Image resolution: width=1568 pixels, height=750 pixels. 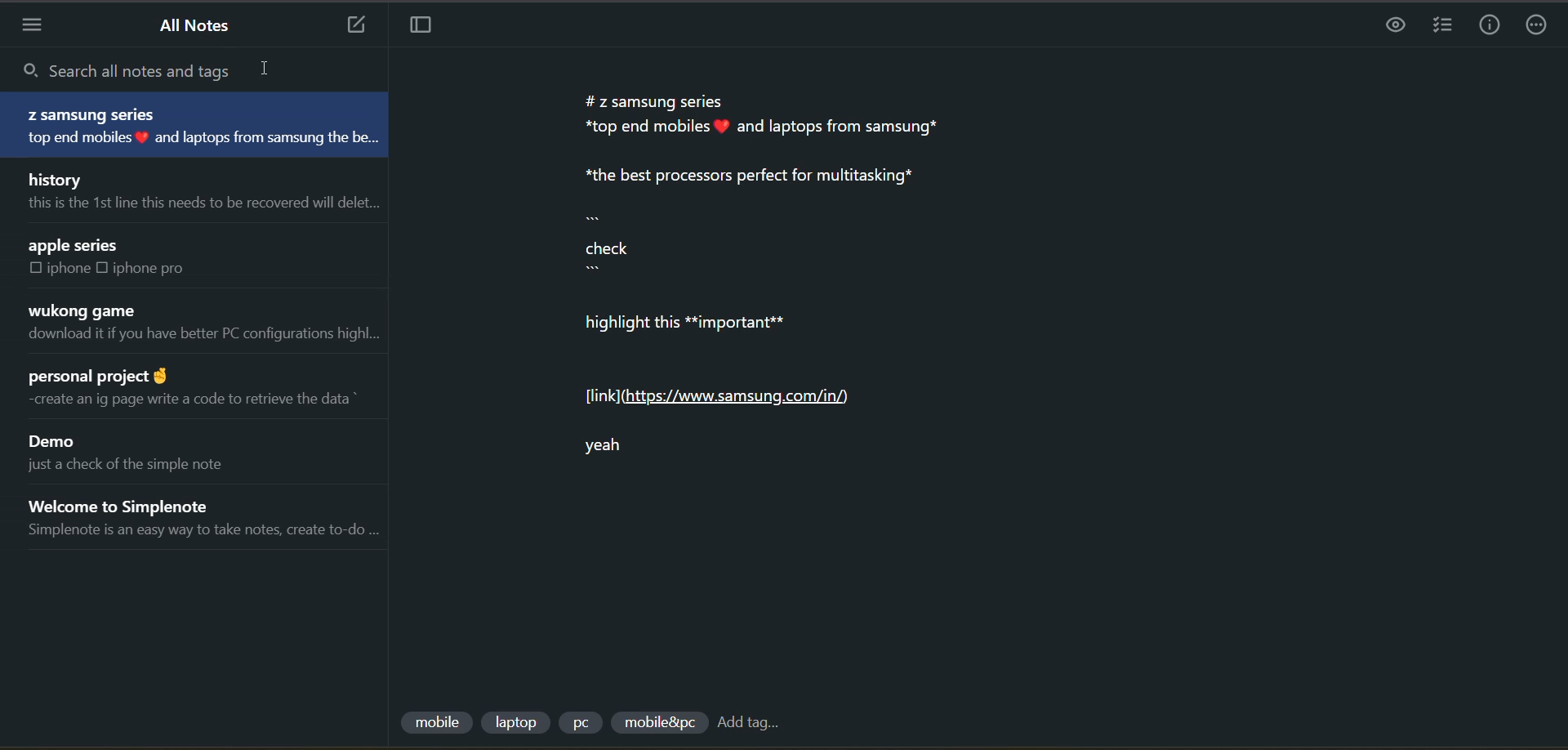 What do you see at coordinates (203, 529) in the screenshot?
I see `Simplenote is an easy way to take notes, create to-do ...` at bounding box center [203, 529].